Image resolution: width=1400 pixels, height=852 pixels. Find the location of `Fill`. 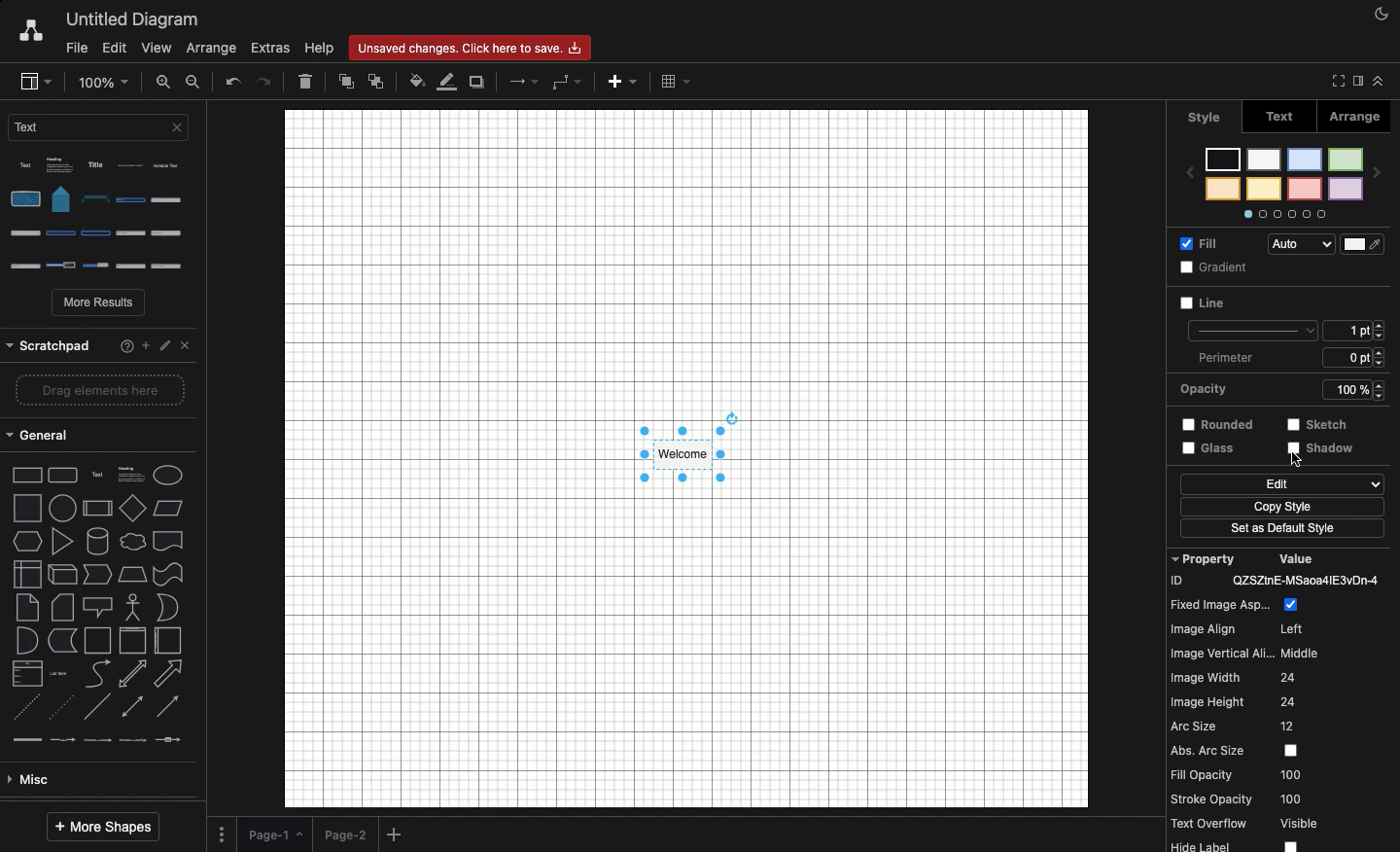

Fill is located at coordinates (1209, 247).